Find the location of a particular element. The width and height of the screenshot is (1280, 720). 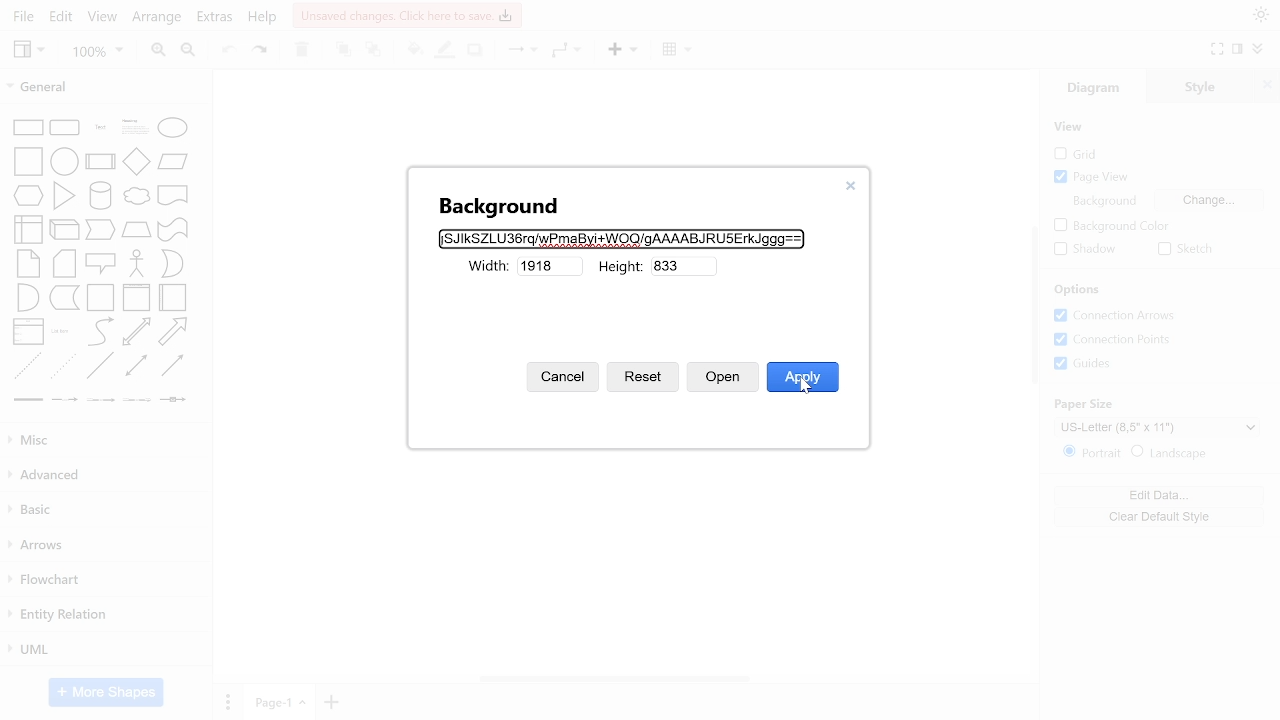

width (1918) is located at coordinates (551, 267).